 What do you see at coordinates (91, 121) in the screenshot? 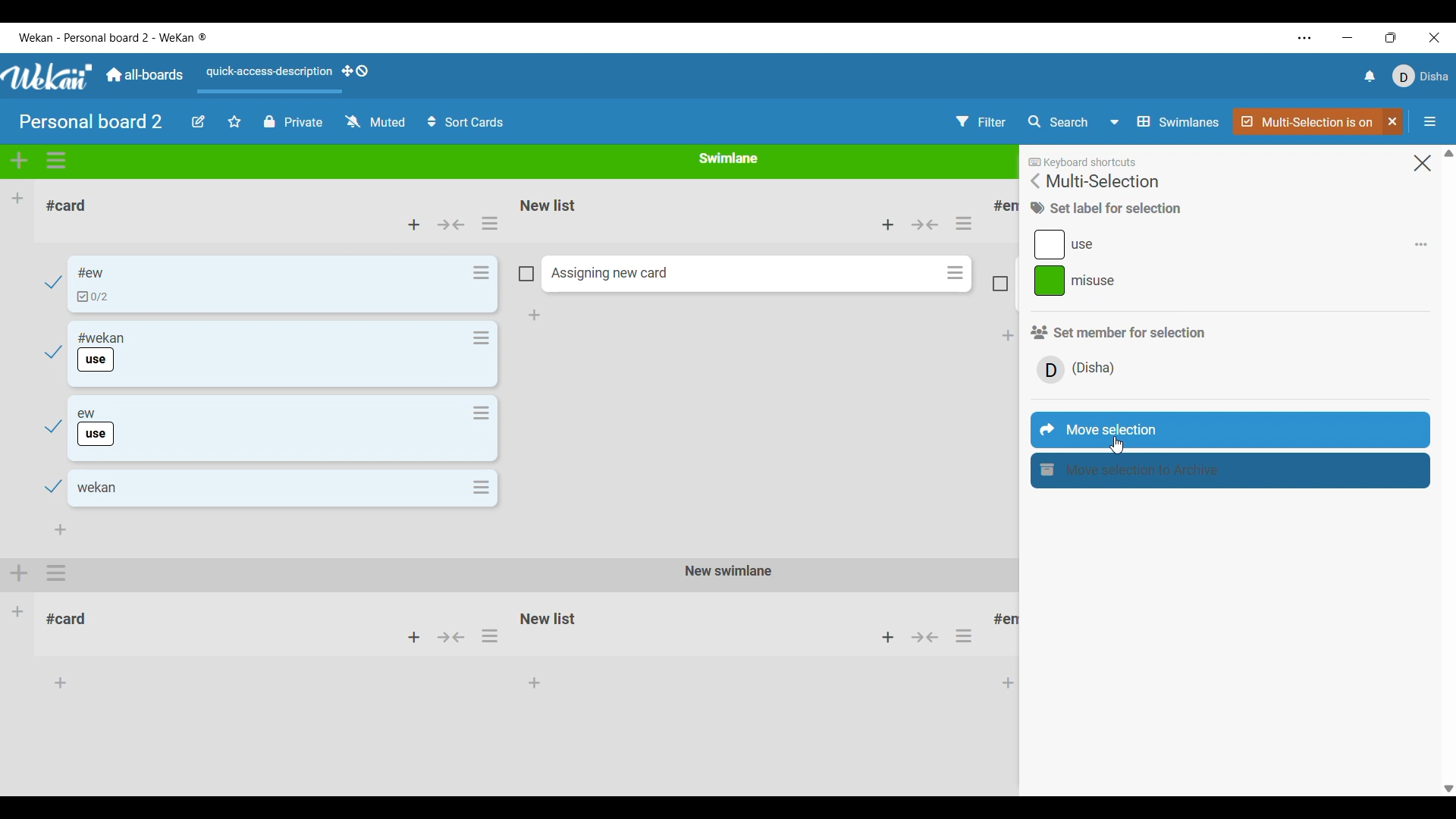
I see `Board title` at bounding box center [91, 121].